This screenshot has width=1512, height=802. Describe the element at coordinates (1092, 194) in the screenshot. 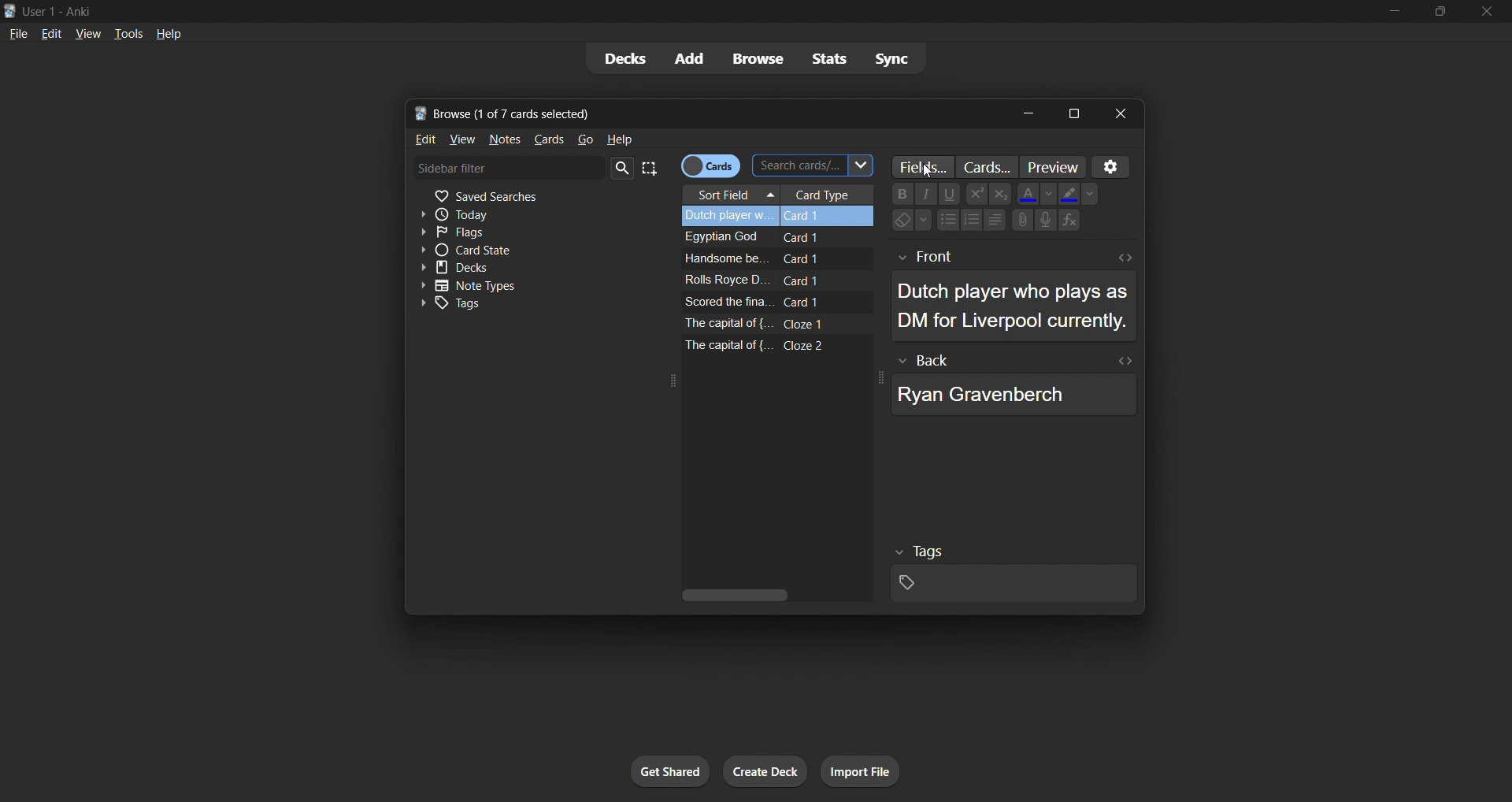

I see `Dropdown` at that location.